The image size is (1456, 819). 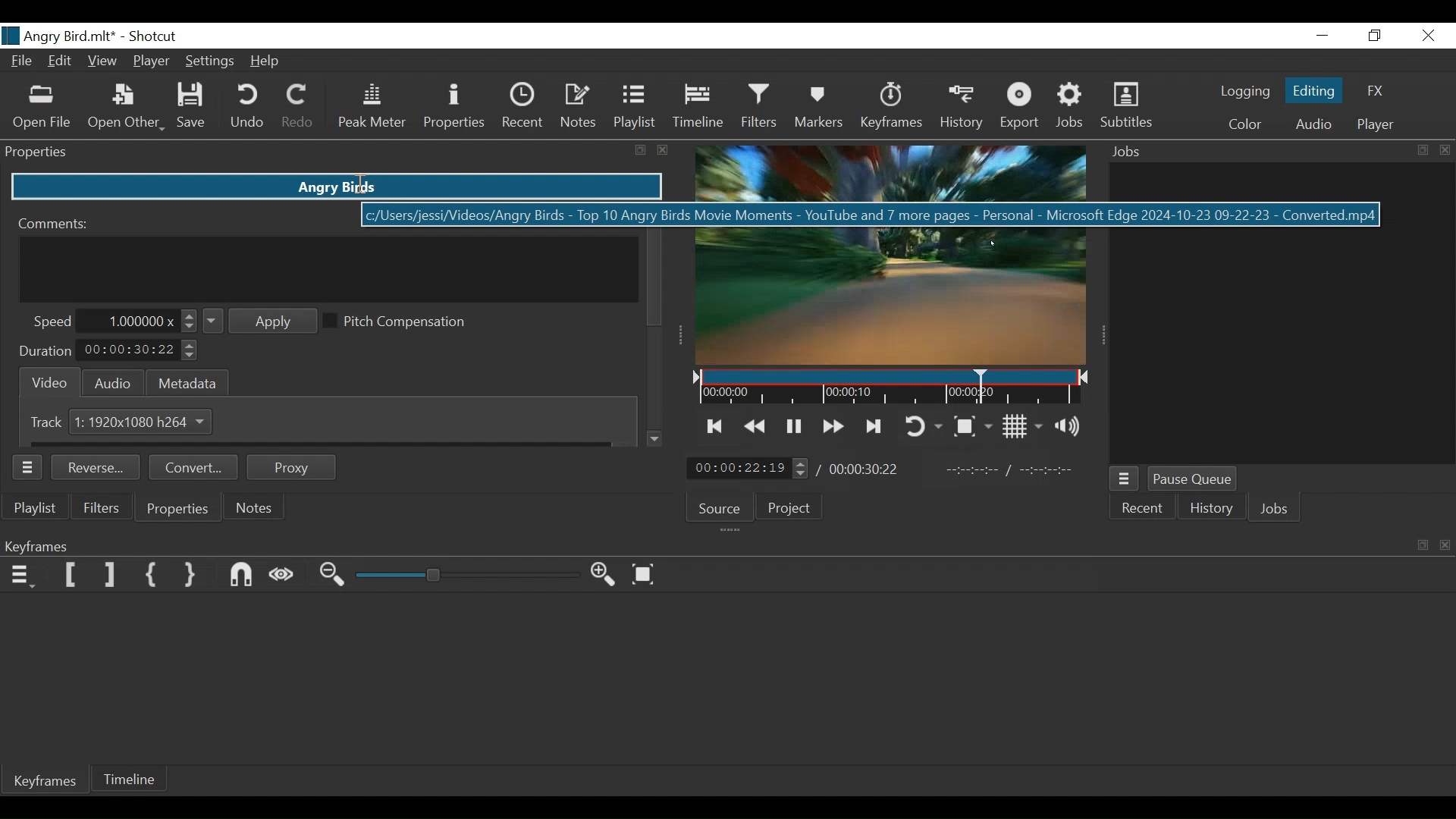 What do you see at coordinates (1127, 479) in the screenshot?
I see `Jobs Menu` at bounding box center [1127, 479].